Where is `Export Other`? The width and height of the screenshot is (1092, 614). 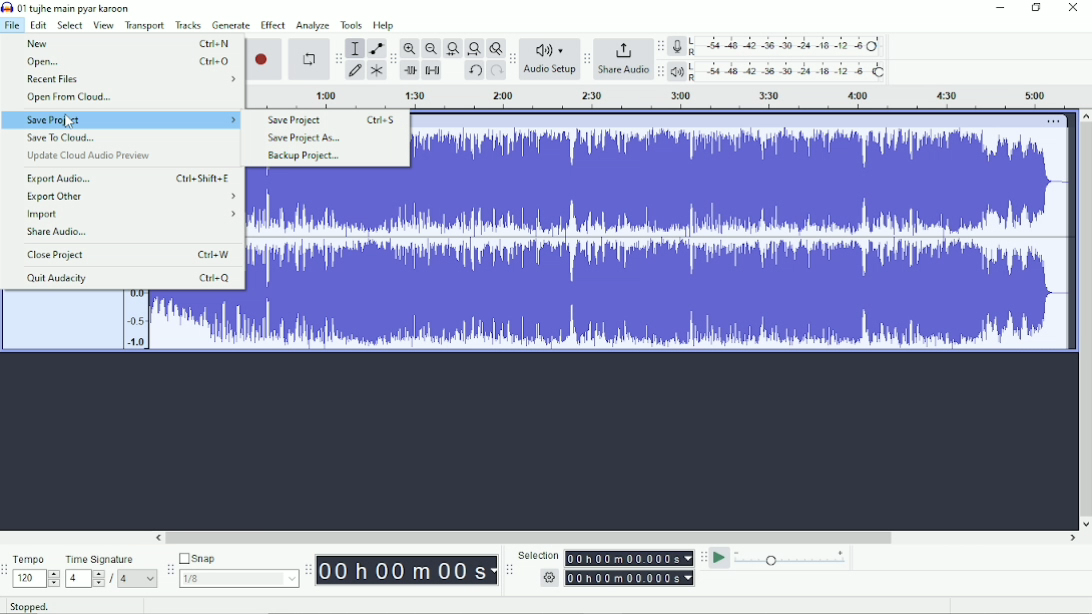 Export Other is located at coordinates (131, 197).